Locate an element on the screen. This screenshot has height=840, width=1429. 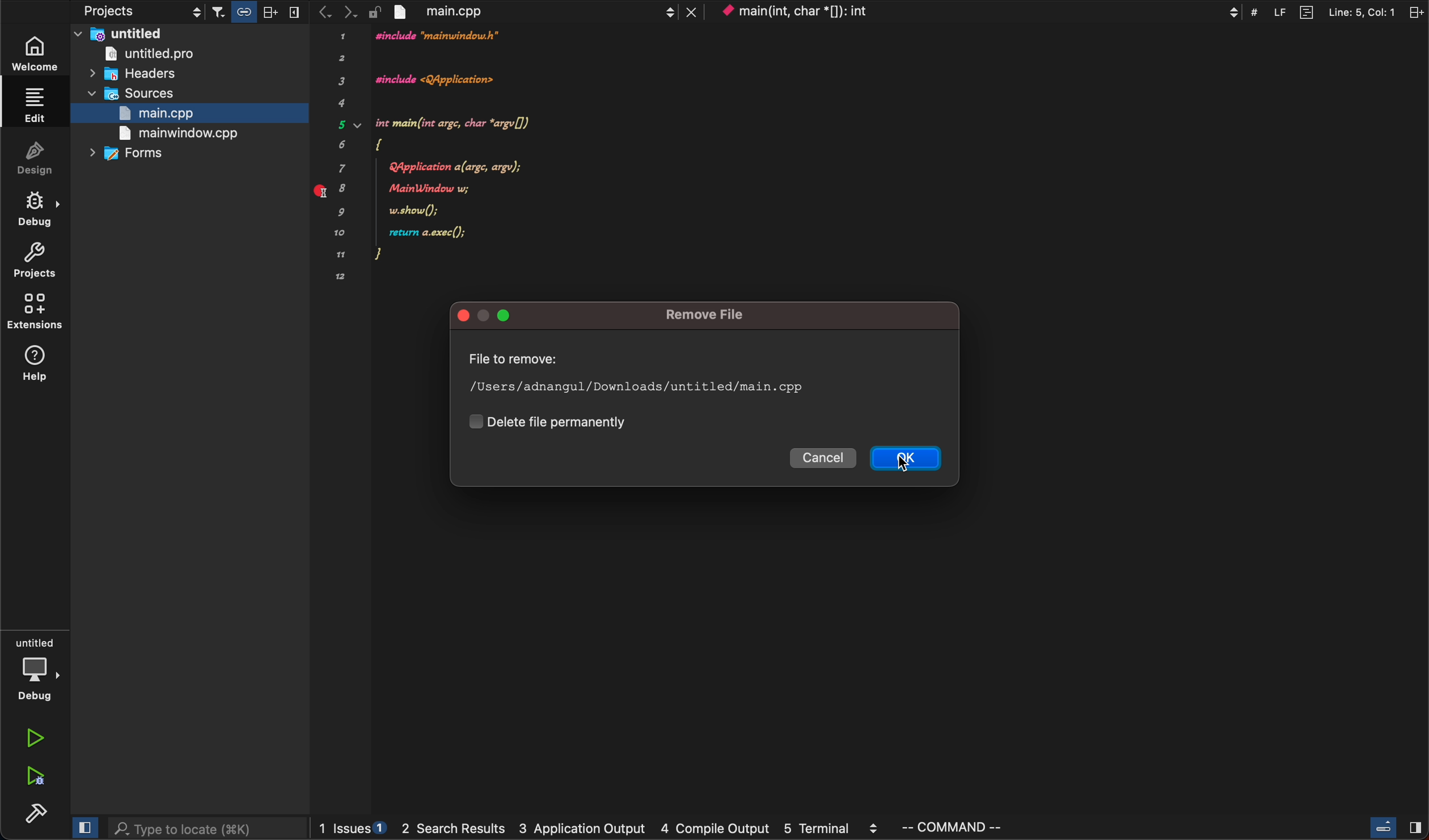
debug is located at coordinates (34, 668).